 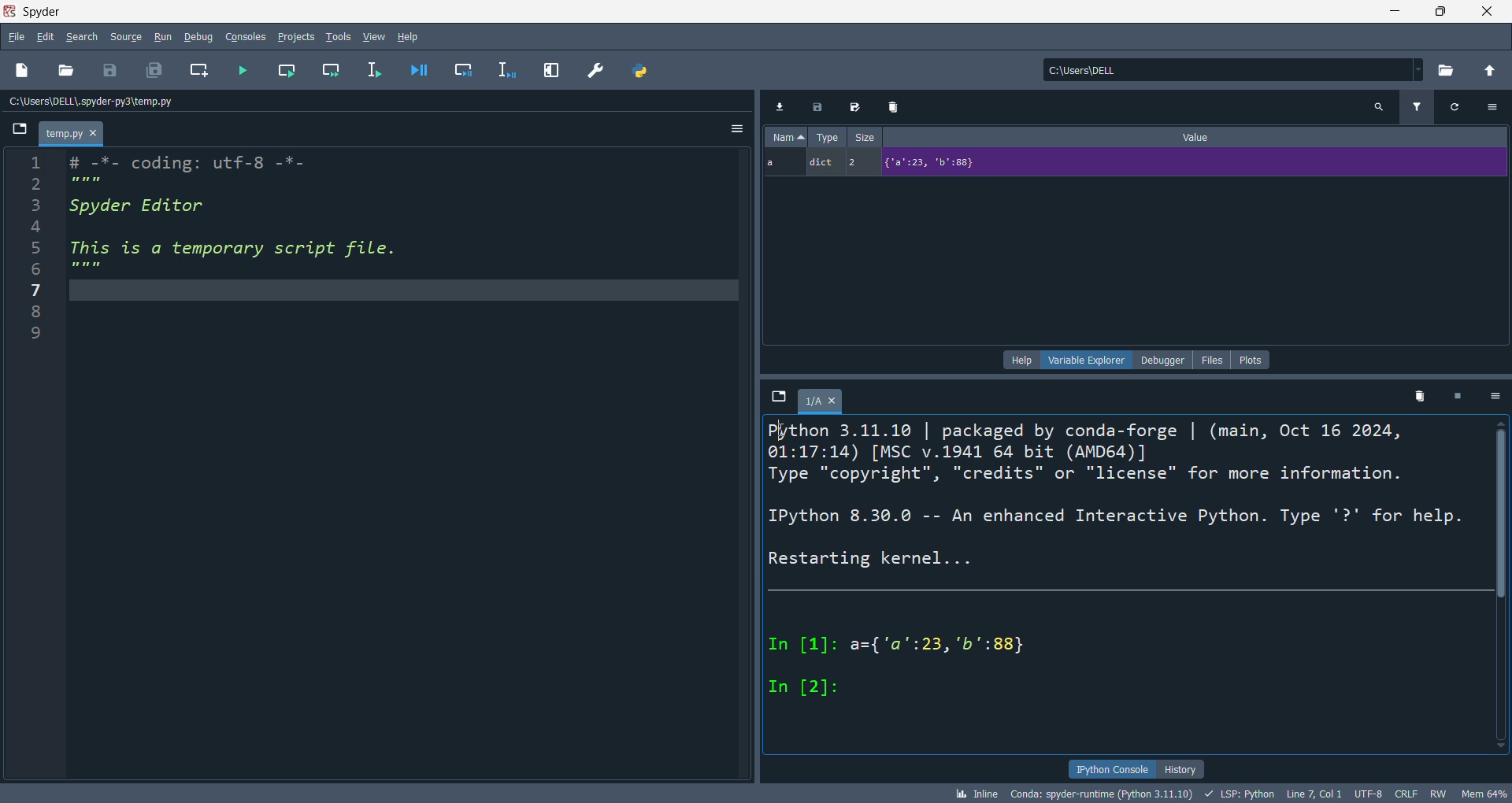 What do you see at coordinates (1497, 105) in the screenshot?
I see `options` at bounding box center [1497, 105].